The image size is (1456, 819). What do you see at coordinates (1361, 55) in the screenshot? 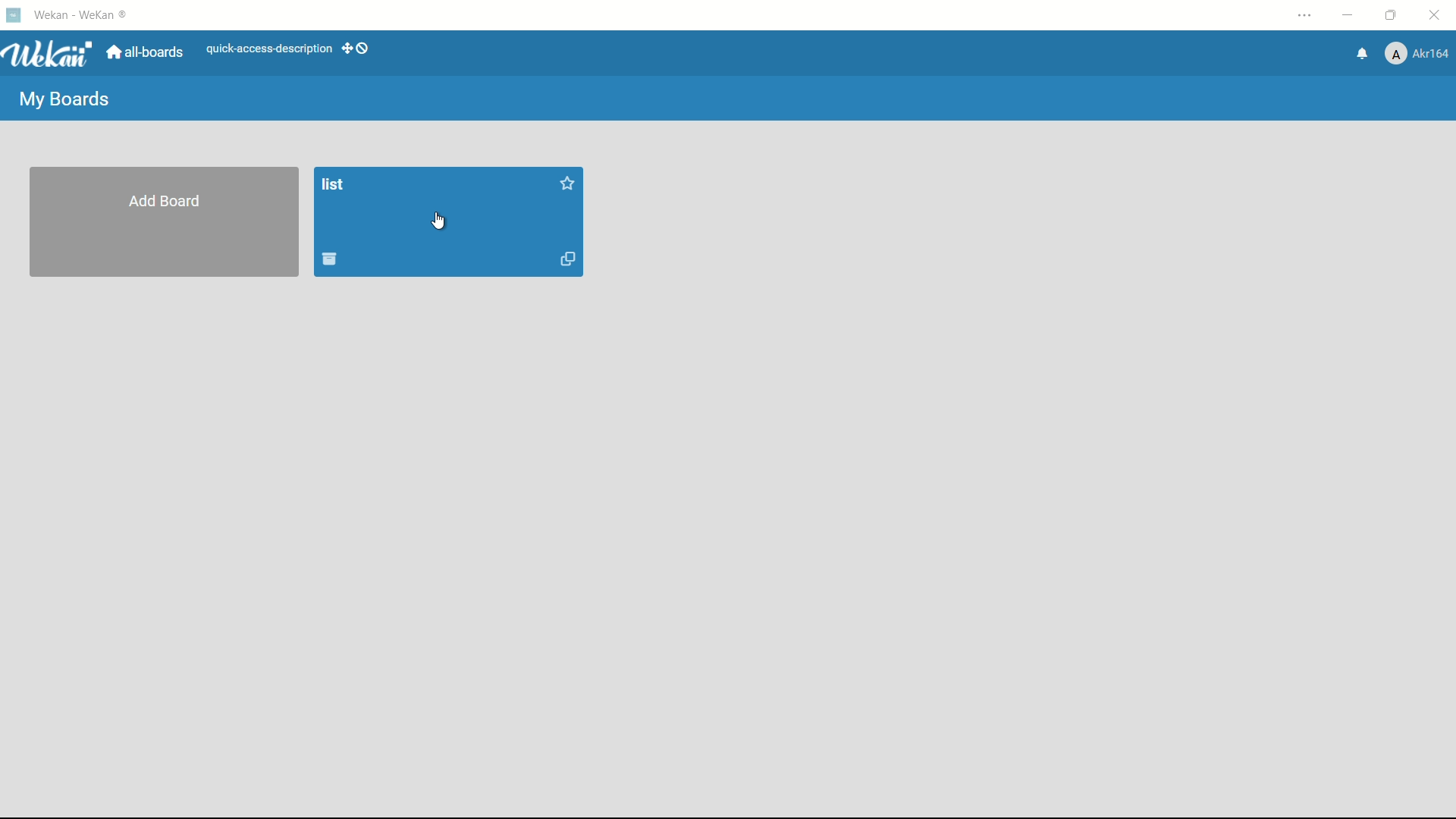
I see `notifications` at bounding box center [1361, 55].